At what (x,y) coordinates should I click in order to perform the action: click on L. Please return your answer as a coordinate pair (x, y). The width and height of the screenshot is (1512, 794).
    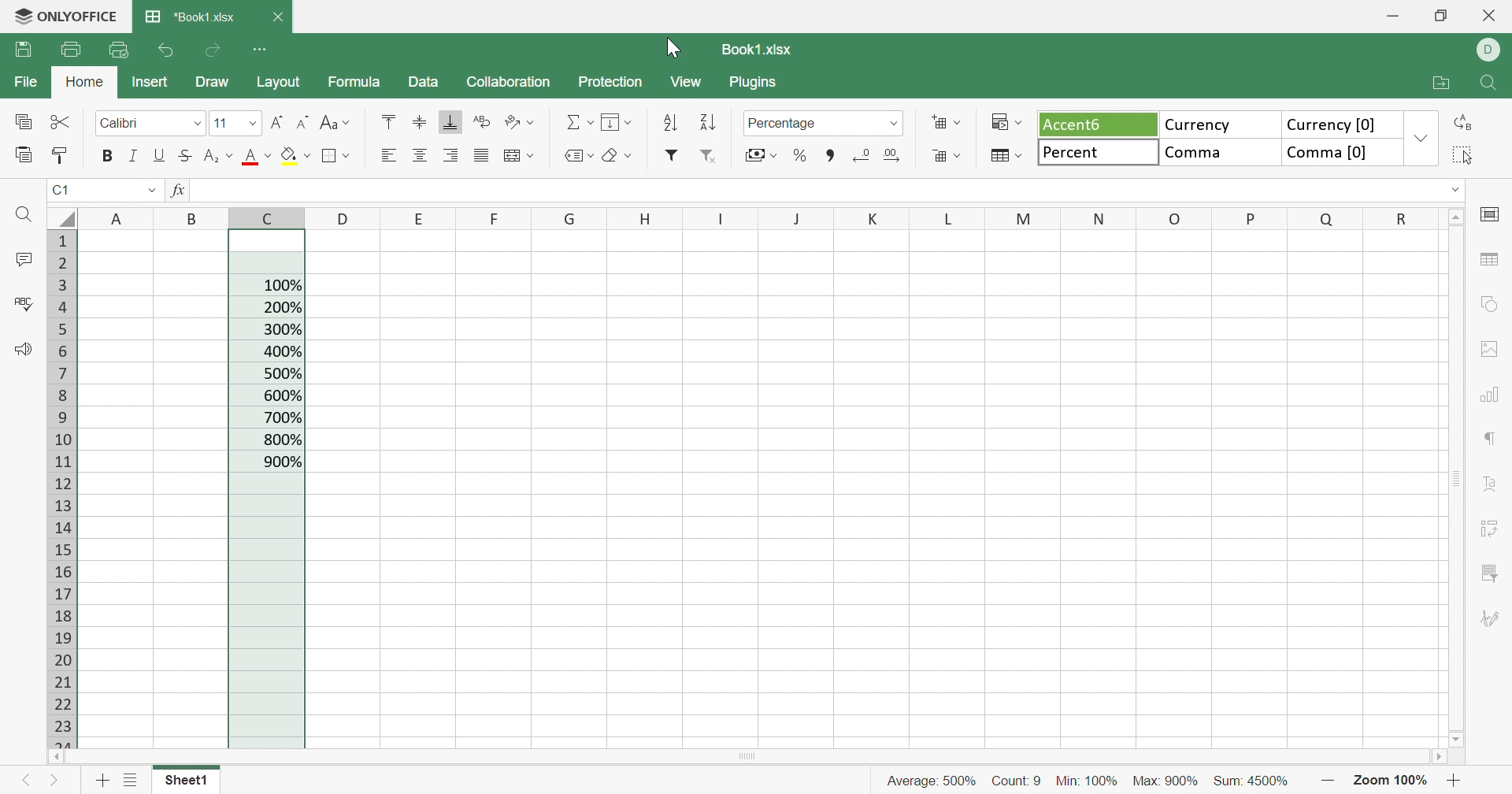
    Looking at the image, I should click on (946, 220).